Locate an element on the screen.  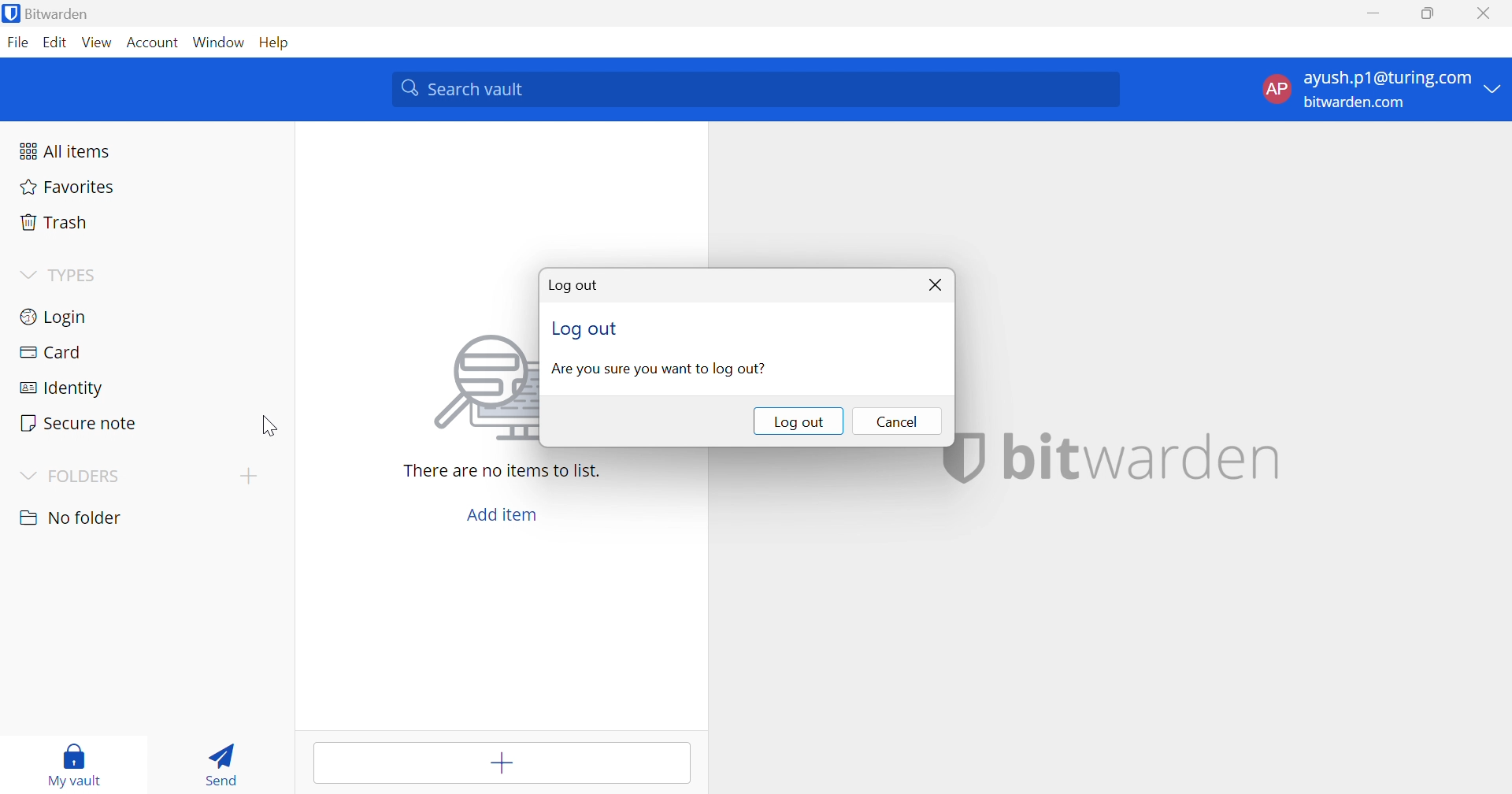
Restore Down is located at coordinates (1426, 13).